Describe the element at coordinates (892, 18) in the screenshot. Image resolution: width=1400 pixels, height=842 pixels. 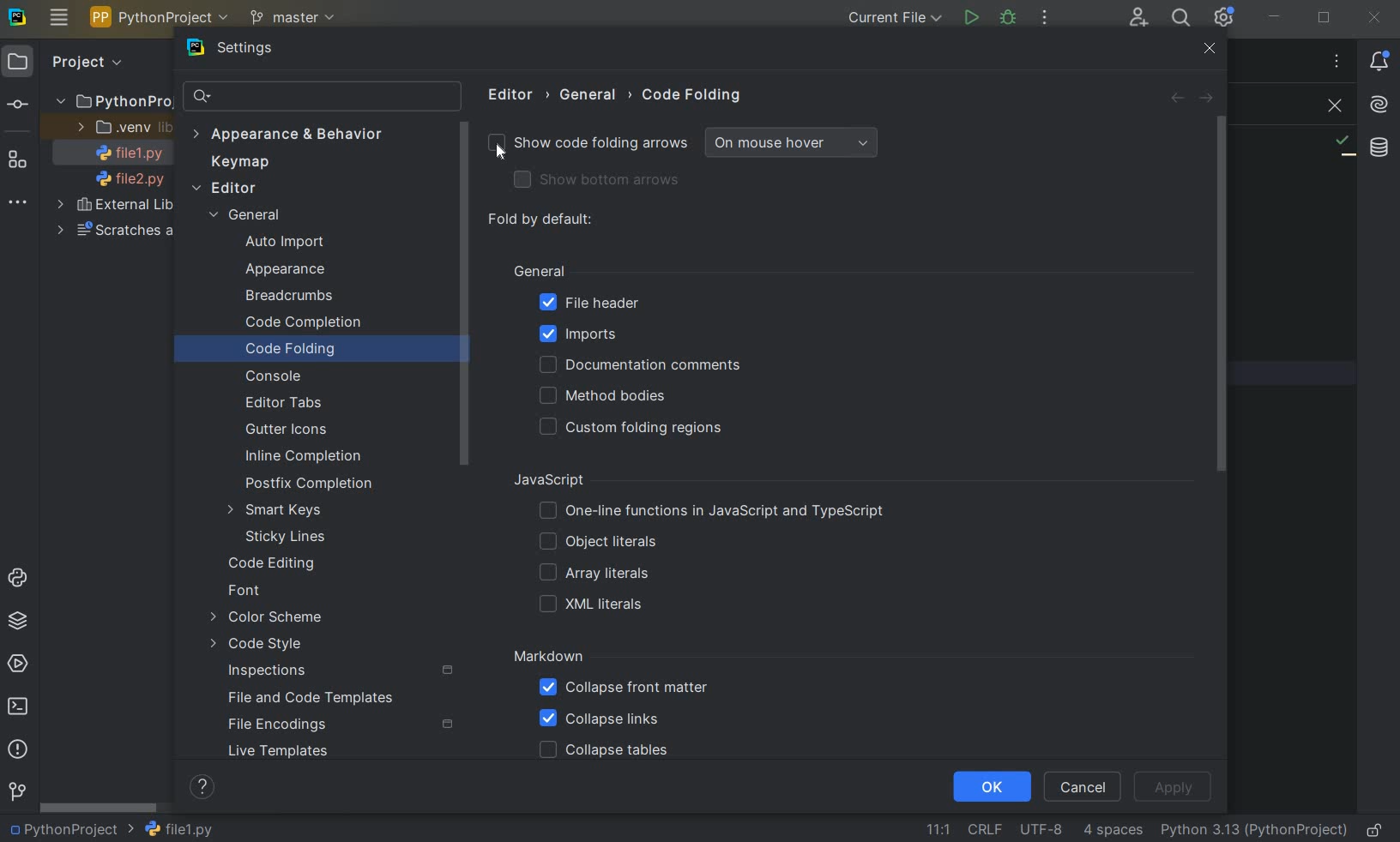
I see `CURRENT FILE` at that location.